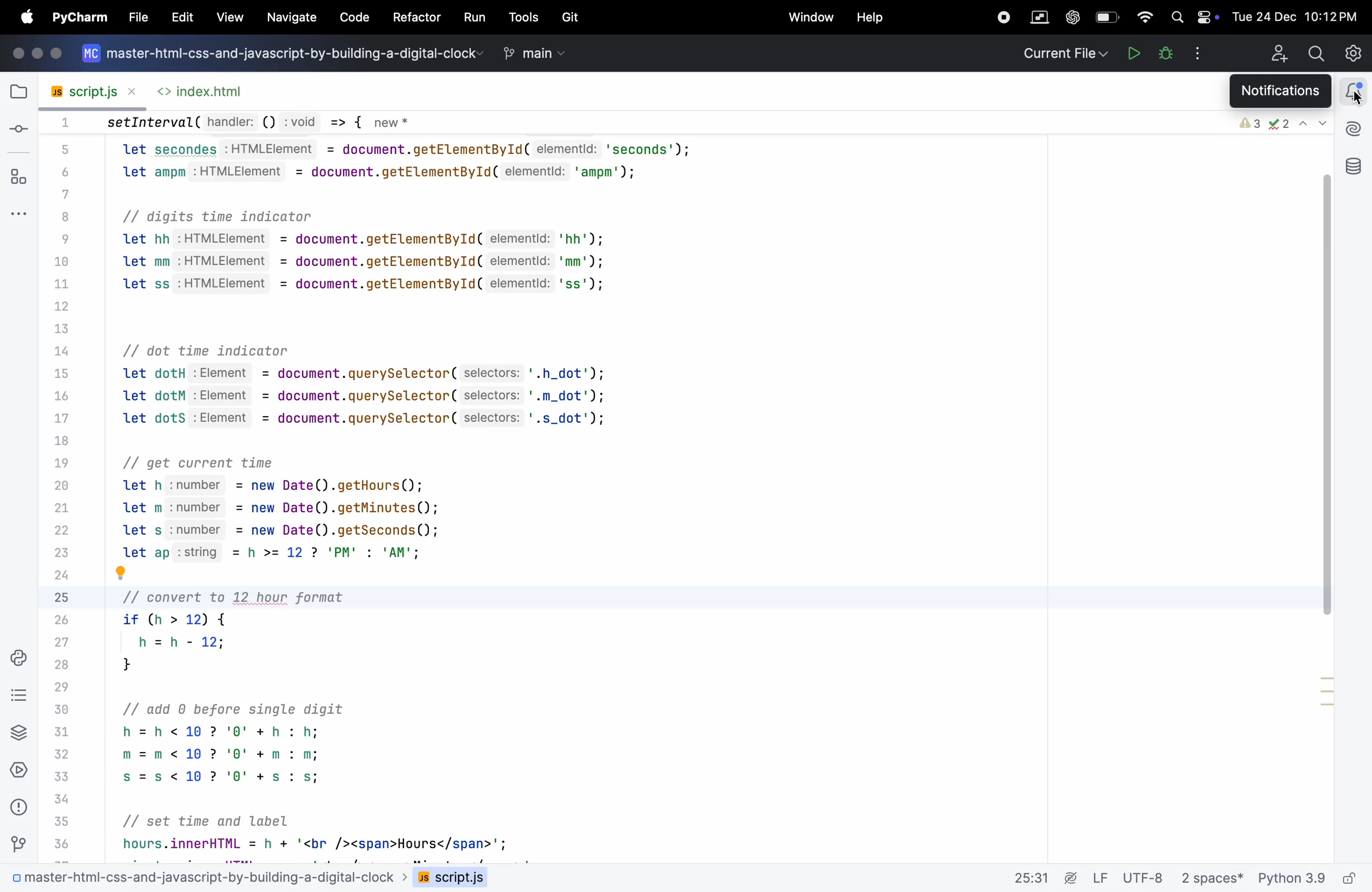 This screenshot has width=1372, height=892. Describe the element at coordinates (89, 88) in the screenshot. I see `script .js` at that location.